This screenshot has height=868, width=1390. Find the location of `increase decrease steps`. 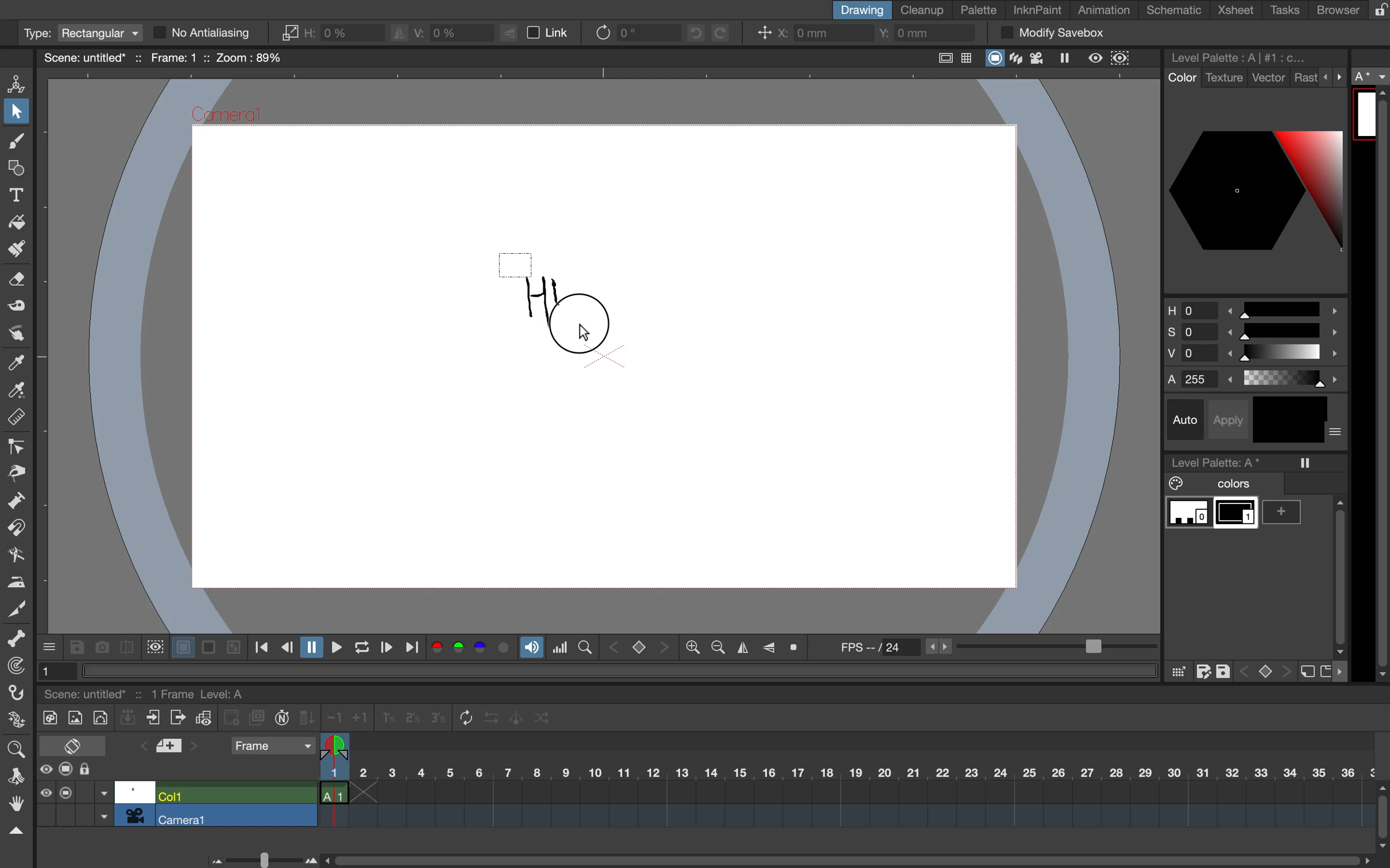

increase decrease steps is located at coordinates (344, 718).